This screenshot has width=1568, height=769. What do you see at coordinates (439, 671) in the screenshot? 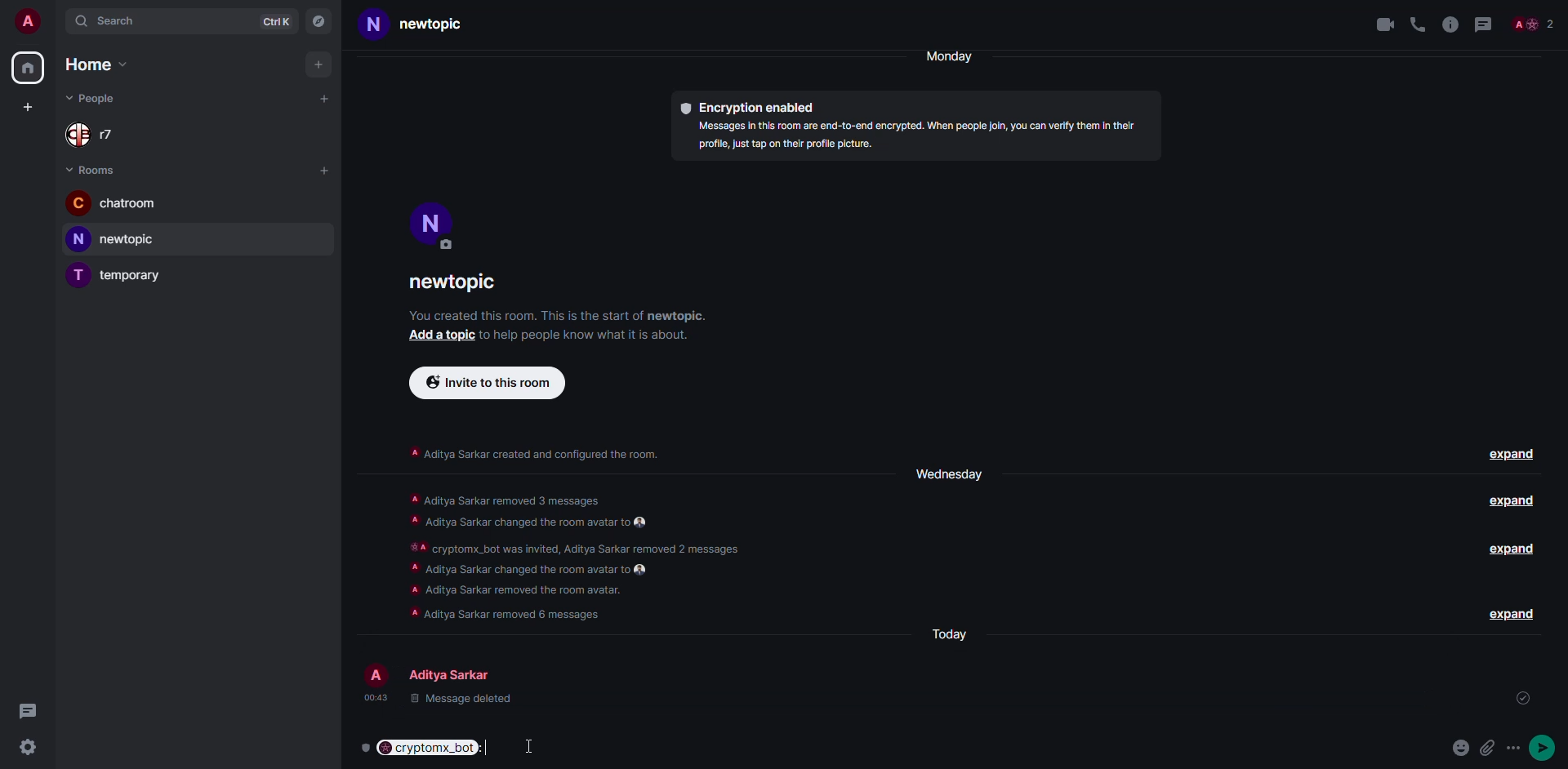
I see `Aditya Sarkar` at bounding box center [439, 671].